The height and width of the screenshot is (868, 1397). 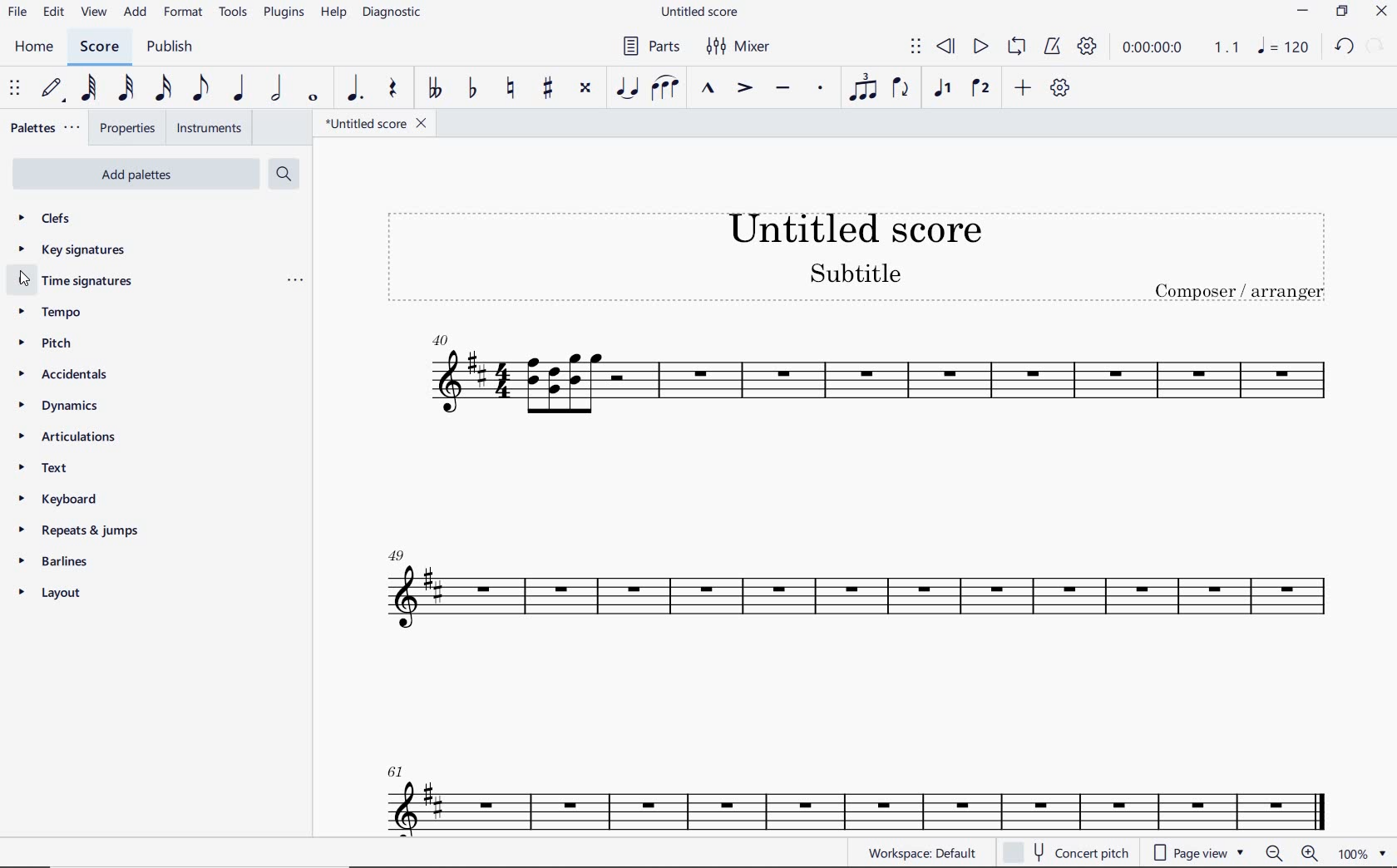 I want to click on TEXT, so click(x=48, y=470).